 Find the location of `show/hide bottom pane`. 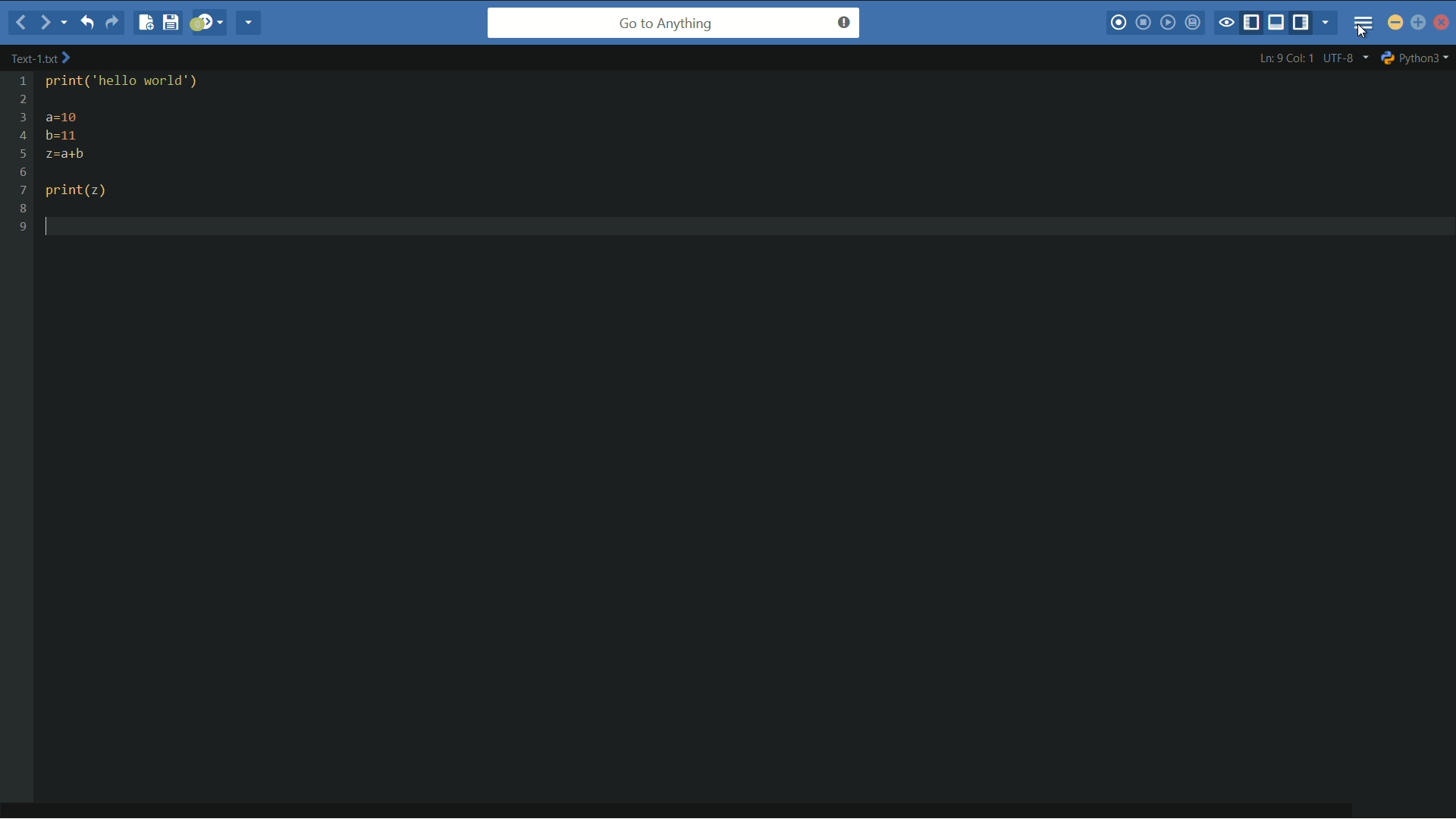

show/hide bottom pane is located at coordinates (1279, 24).